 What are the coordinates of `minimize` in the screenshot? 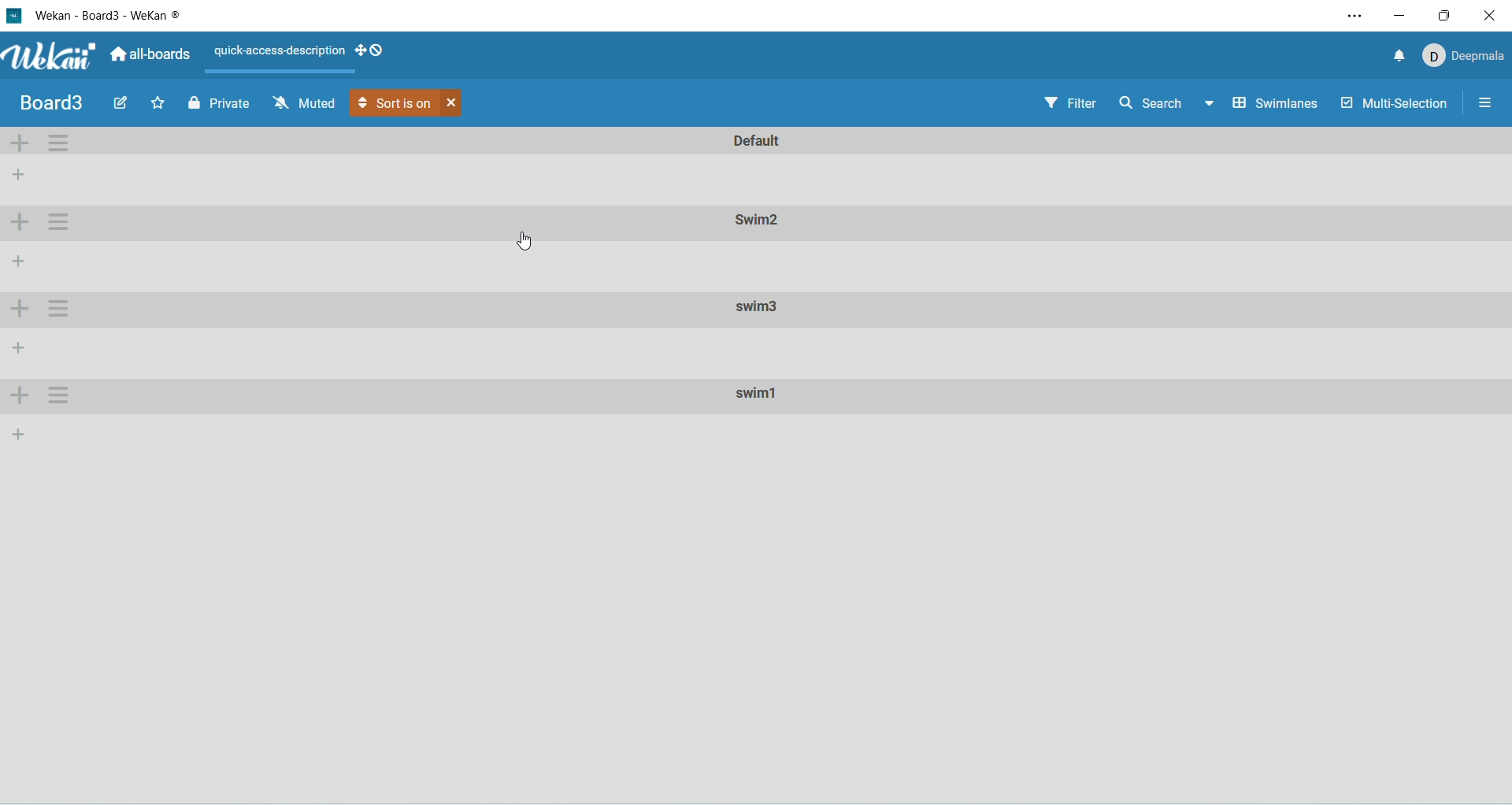 It's located at (1405, 15).